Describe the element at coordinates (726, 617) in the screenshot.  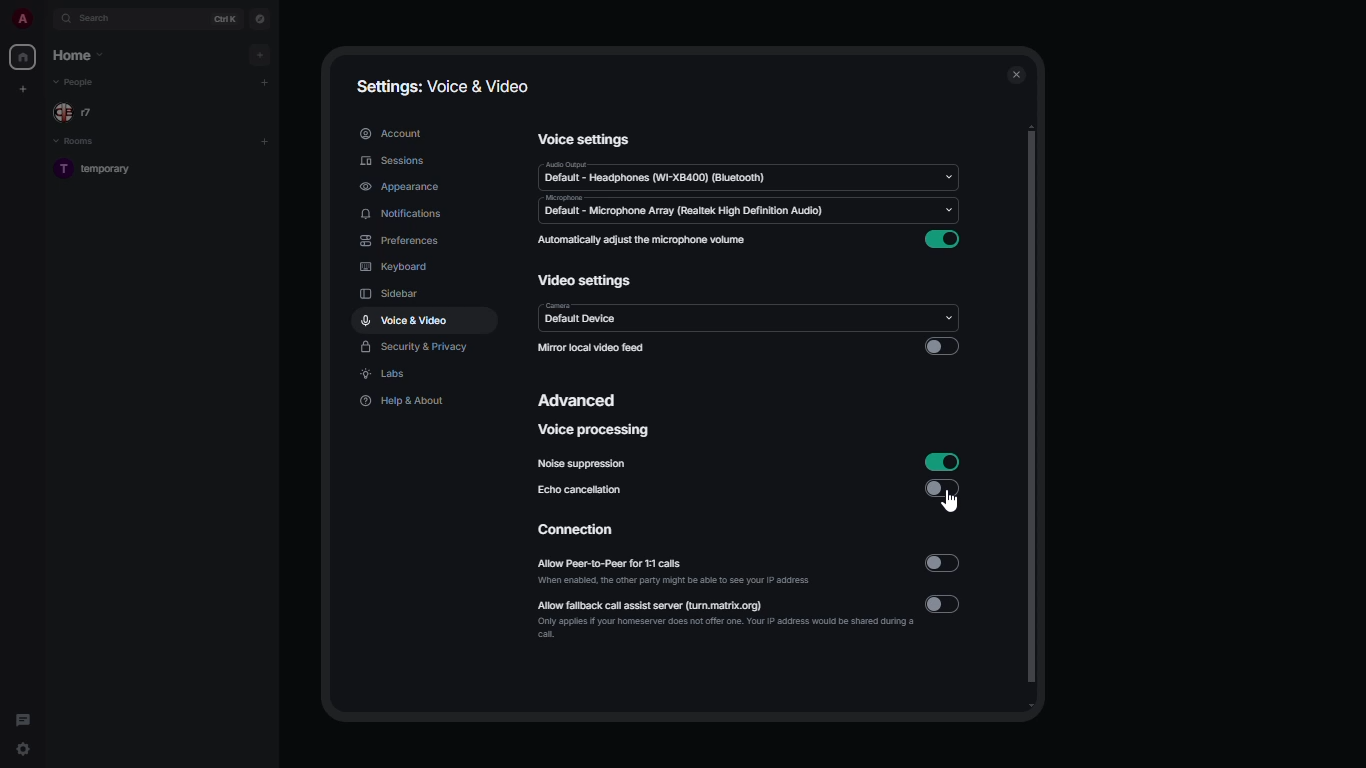
I see `allow fallback call assist server` at that location.